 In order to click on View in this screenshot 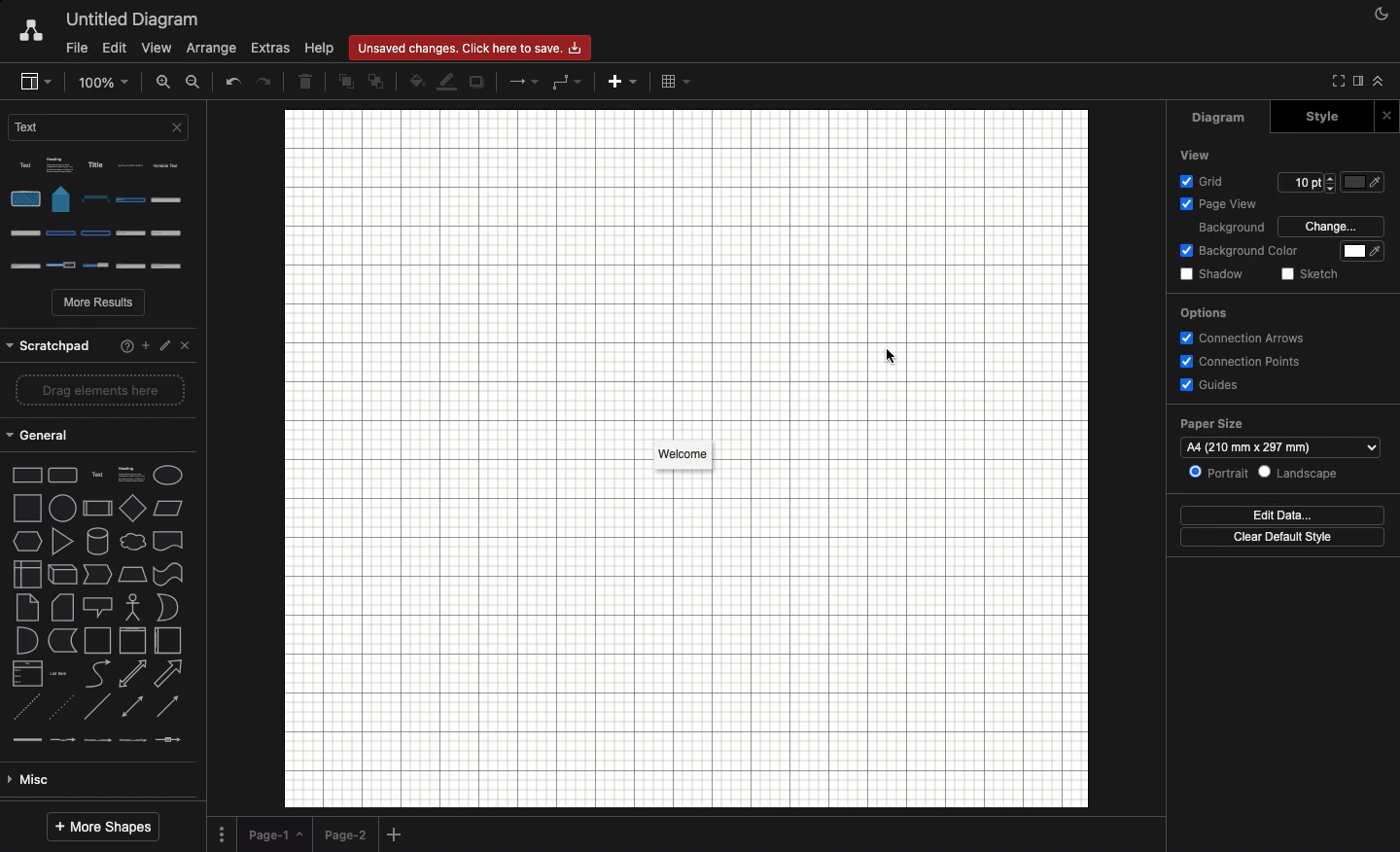, I will do `click(157, 50)`.